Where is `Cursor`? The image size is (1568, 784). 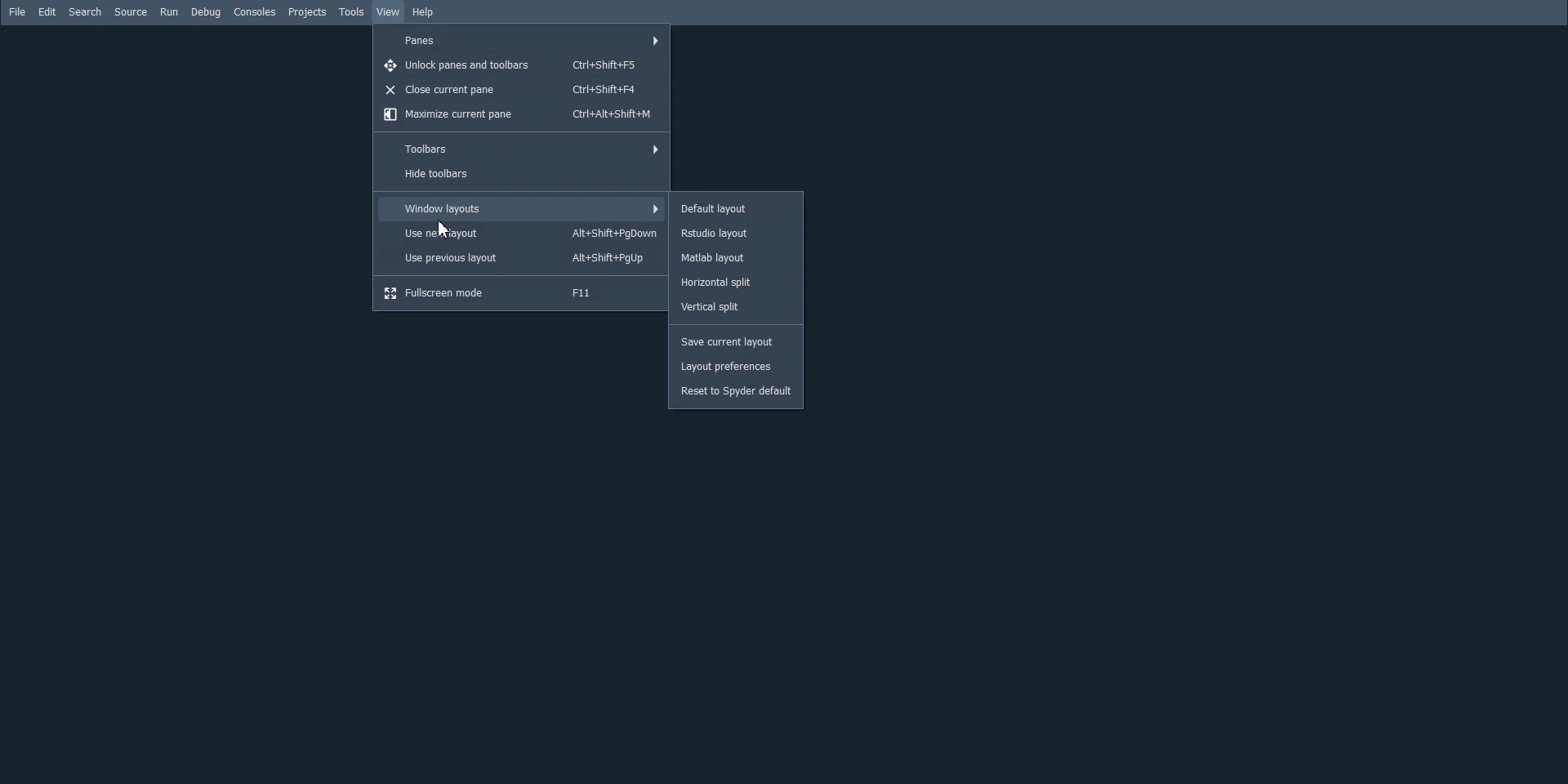
Cursor is located at coordinates (444, 229).